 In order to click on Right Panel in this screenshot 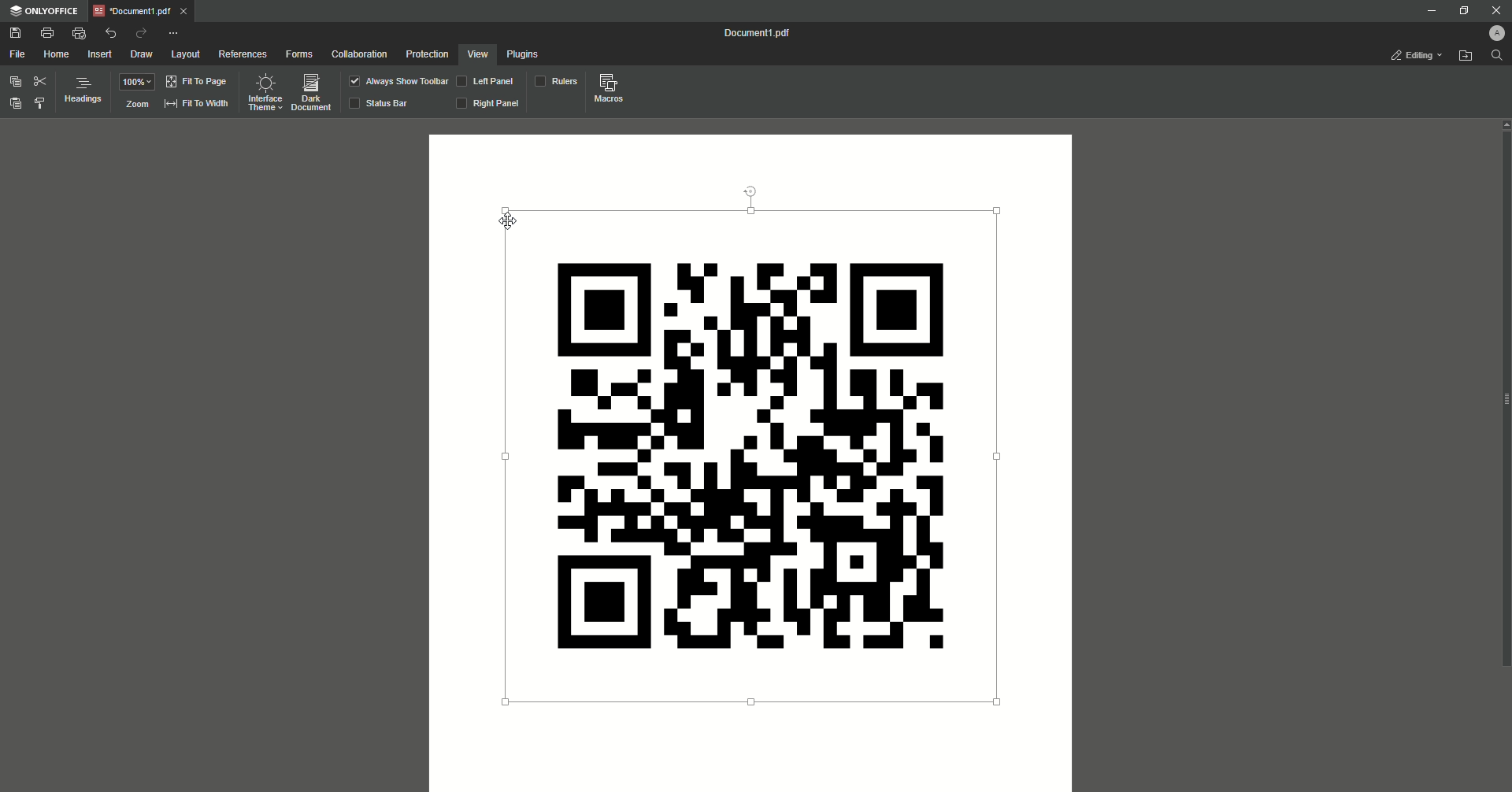, I will do `click(489, 104)`.